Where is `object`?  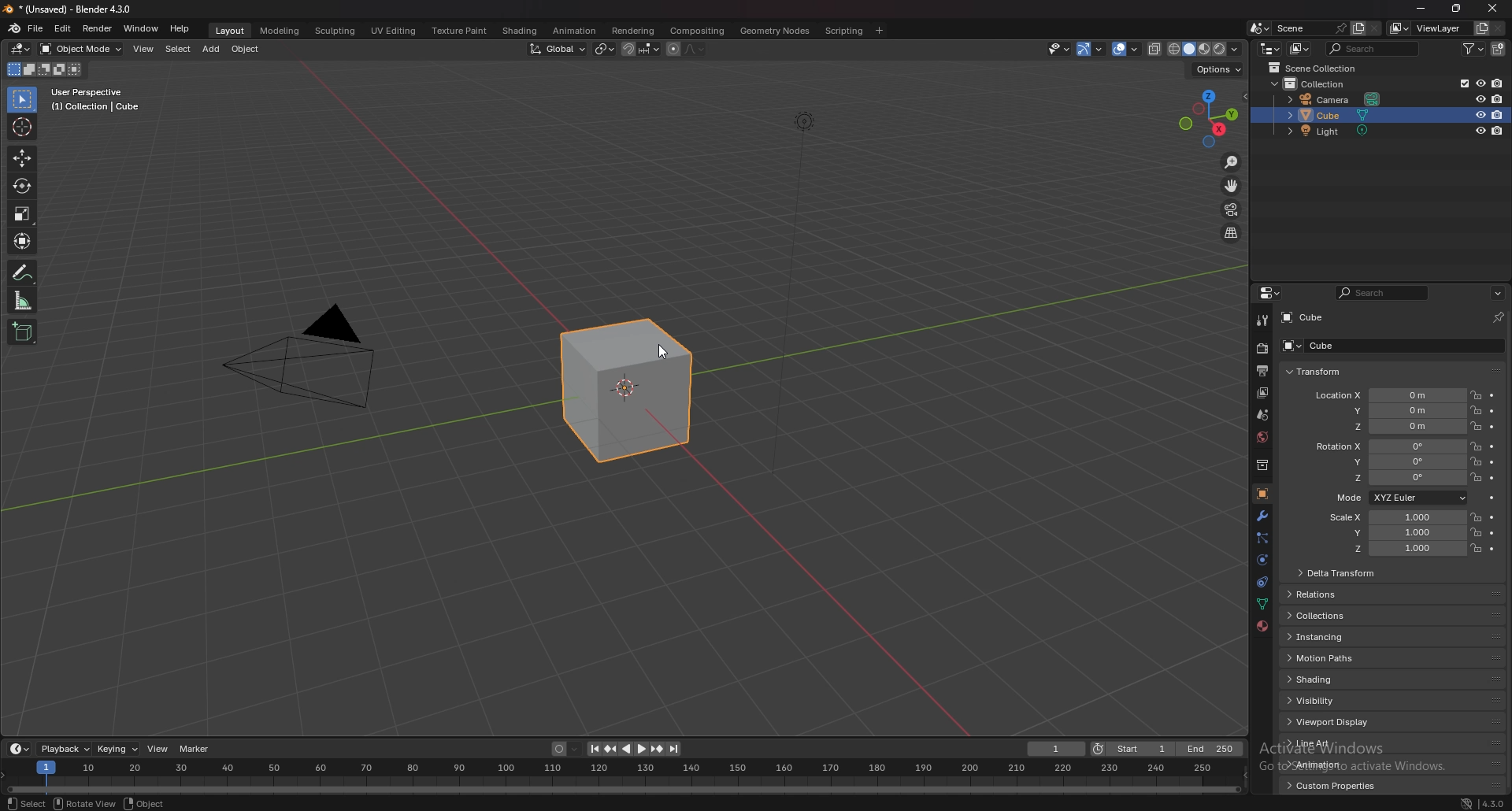 object is located at coordinates (246, 49).